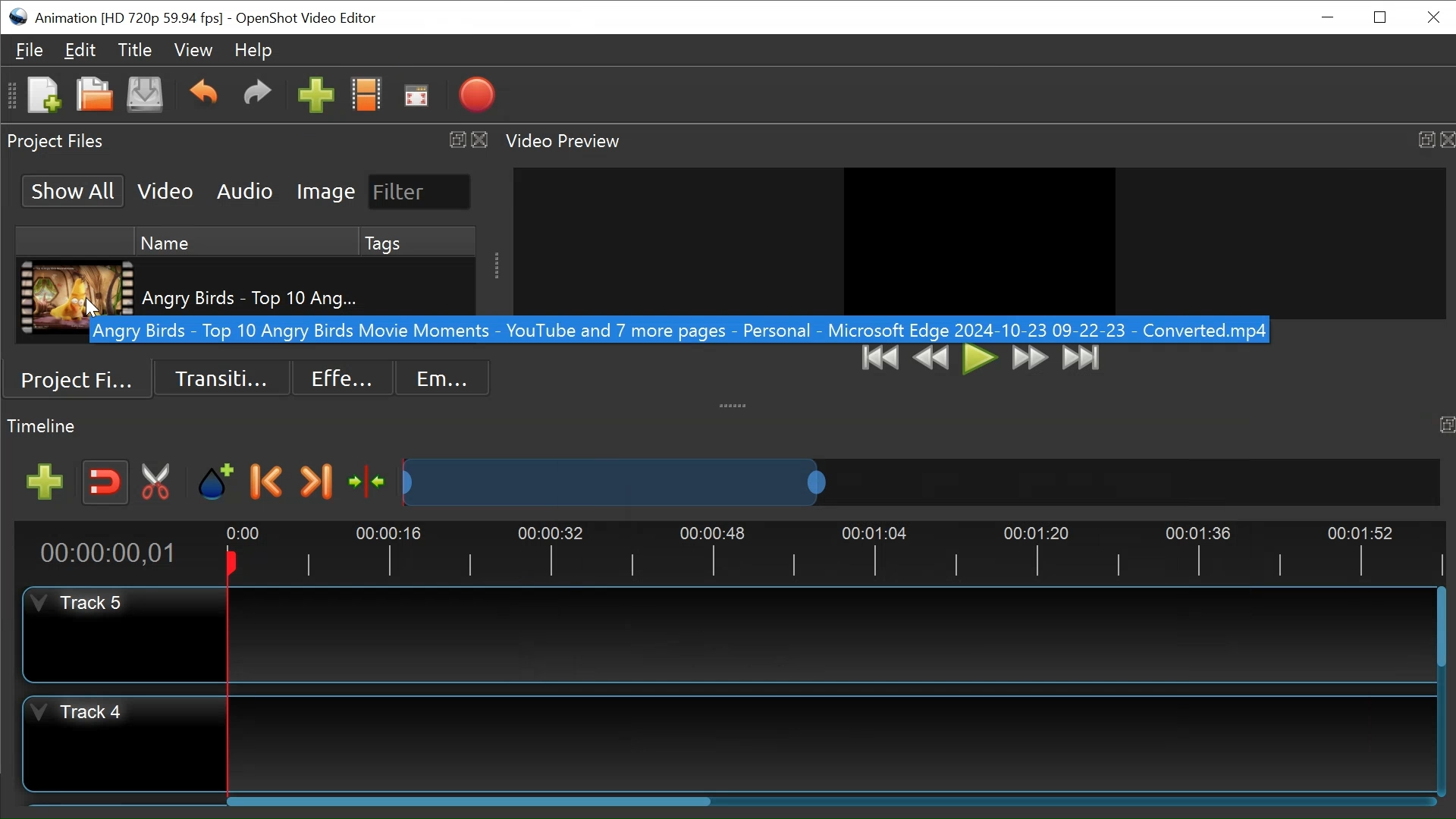  Describe the element at coordinates (921, 482) in the screenshot. I see `Zoom Slider` at that location.